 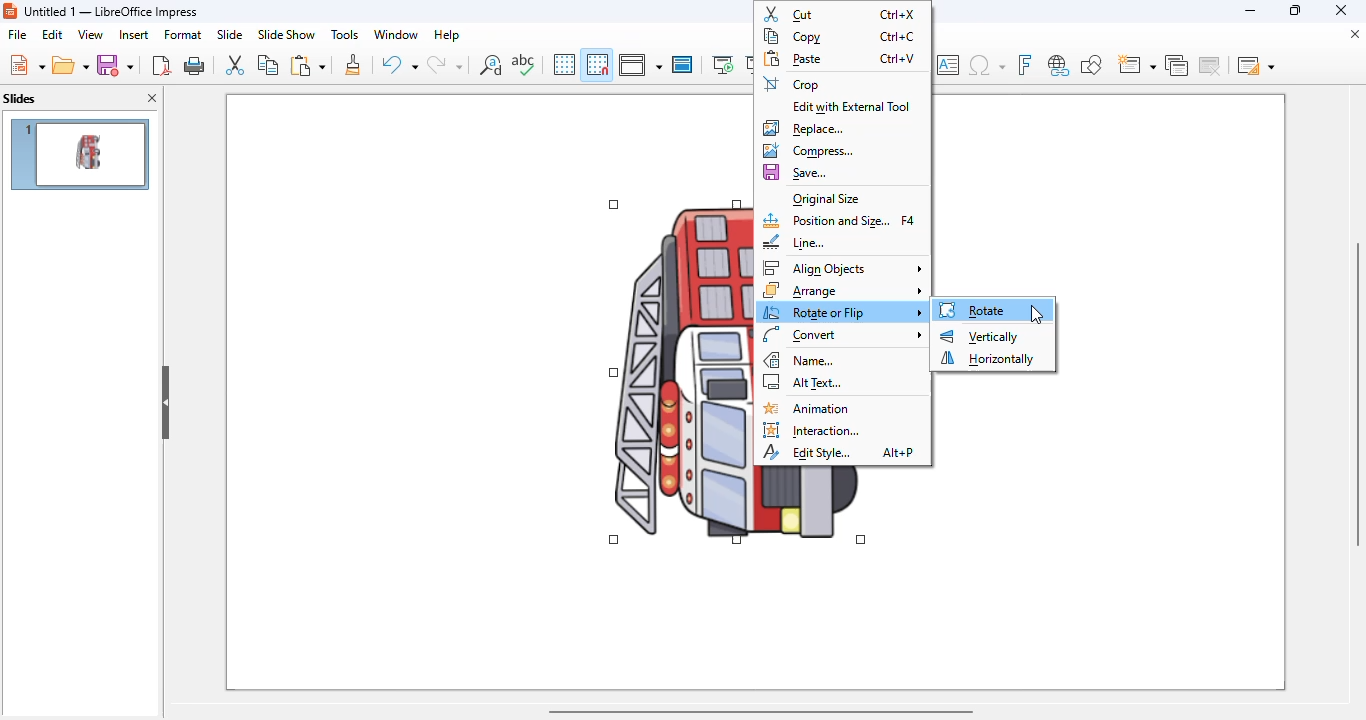 I want to click on export directly as PDF, so click(x=161, y=65).